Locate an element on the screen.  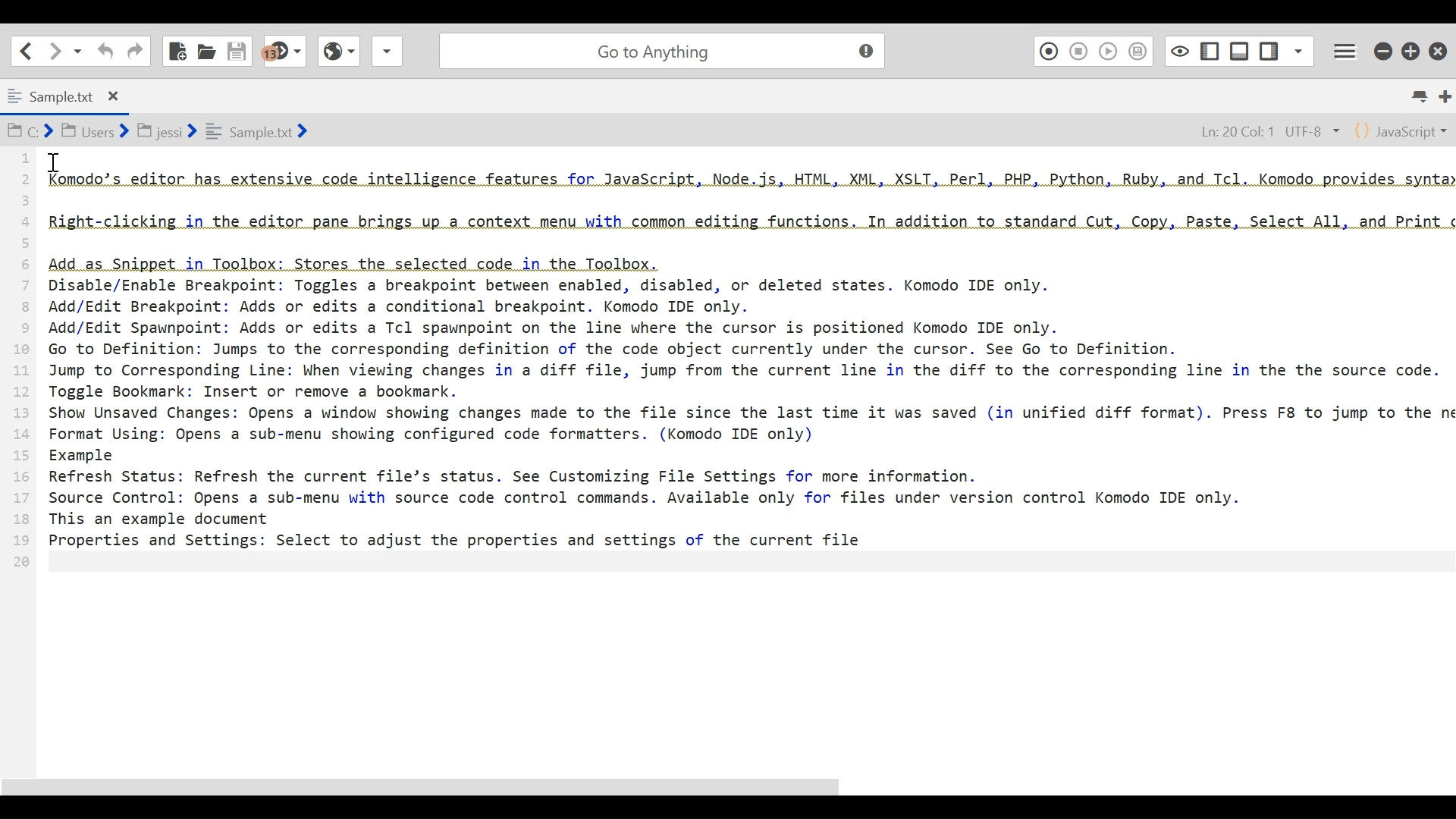
New Tab is located at coordinates (1445, 96).